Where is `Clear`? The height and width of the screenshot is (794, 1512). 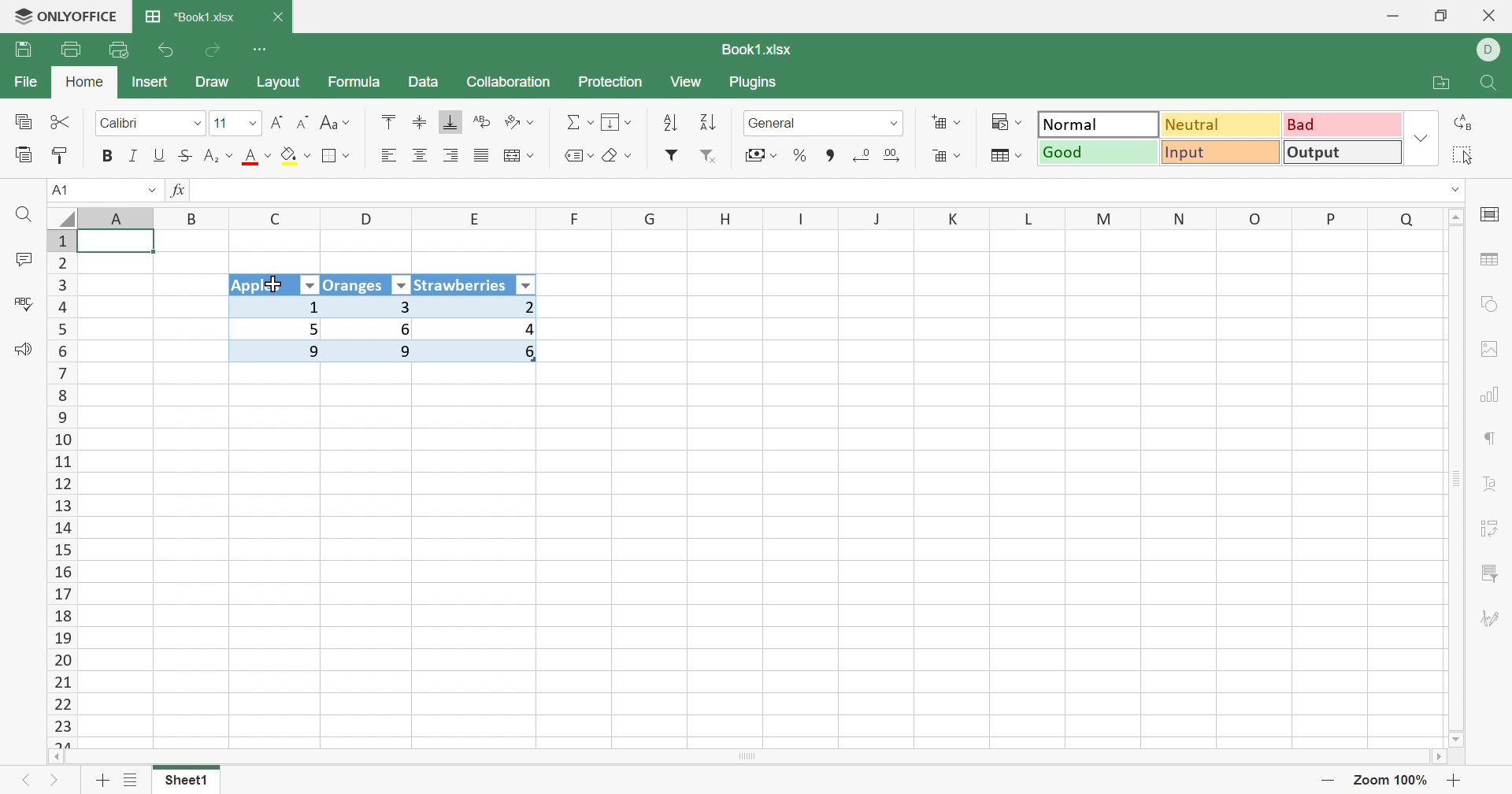 Clear is located at coordinates (621, 158).